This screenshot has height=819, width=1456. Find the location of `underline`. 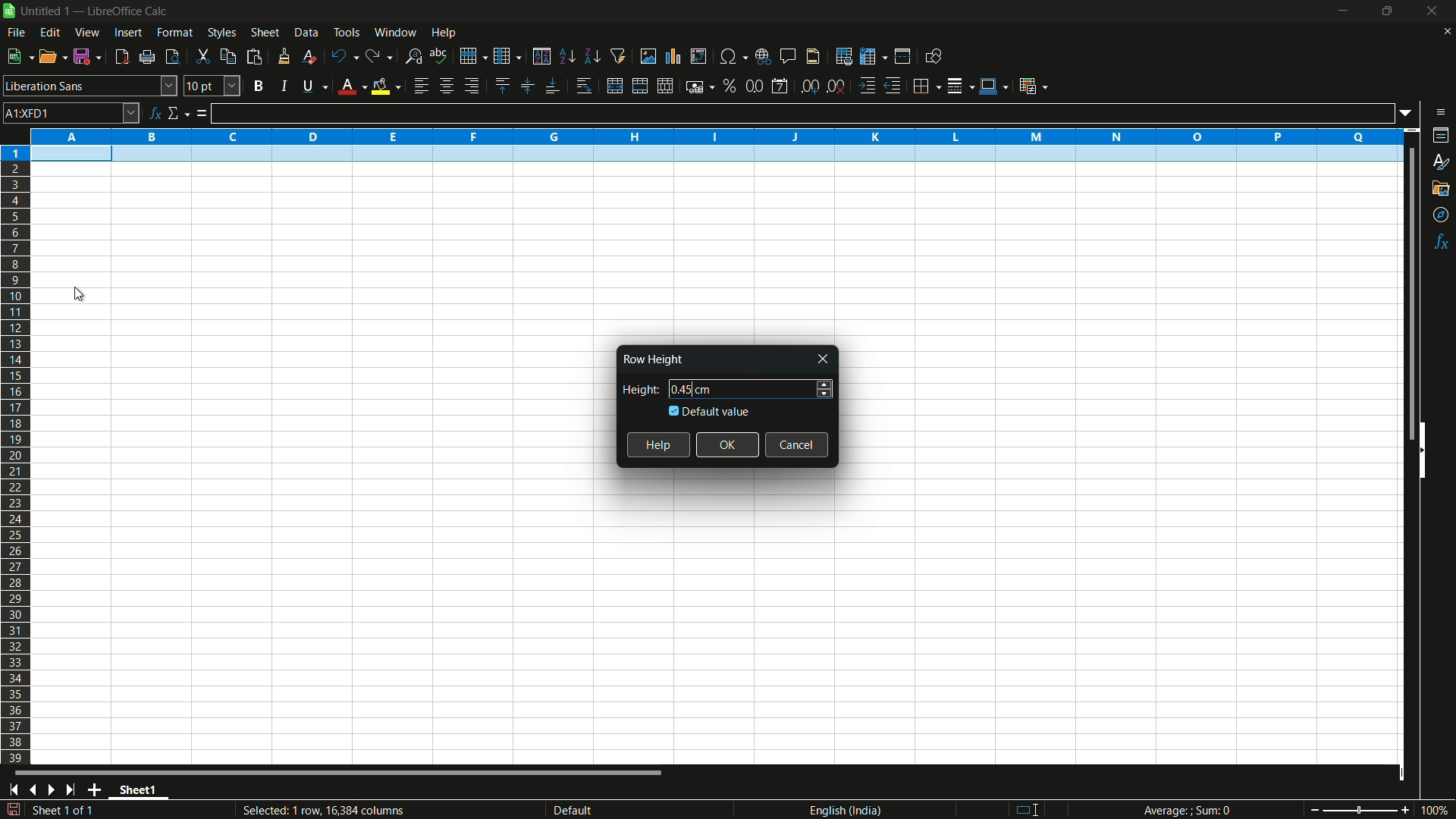

underline is located at coordinates (312, 87).